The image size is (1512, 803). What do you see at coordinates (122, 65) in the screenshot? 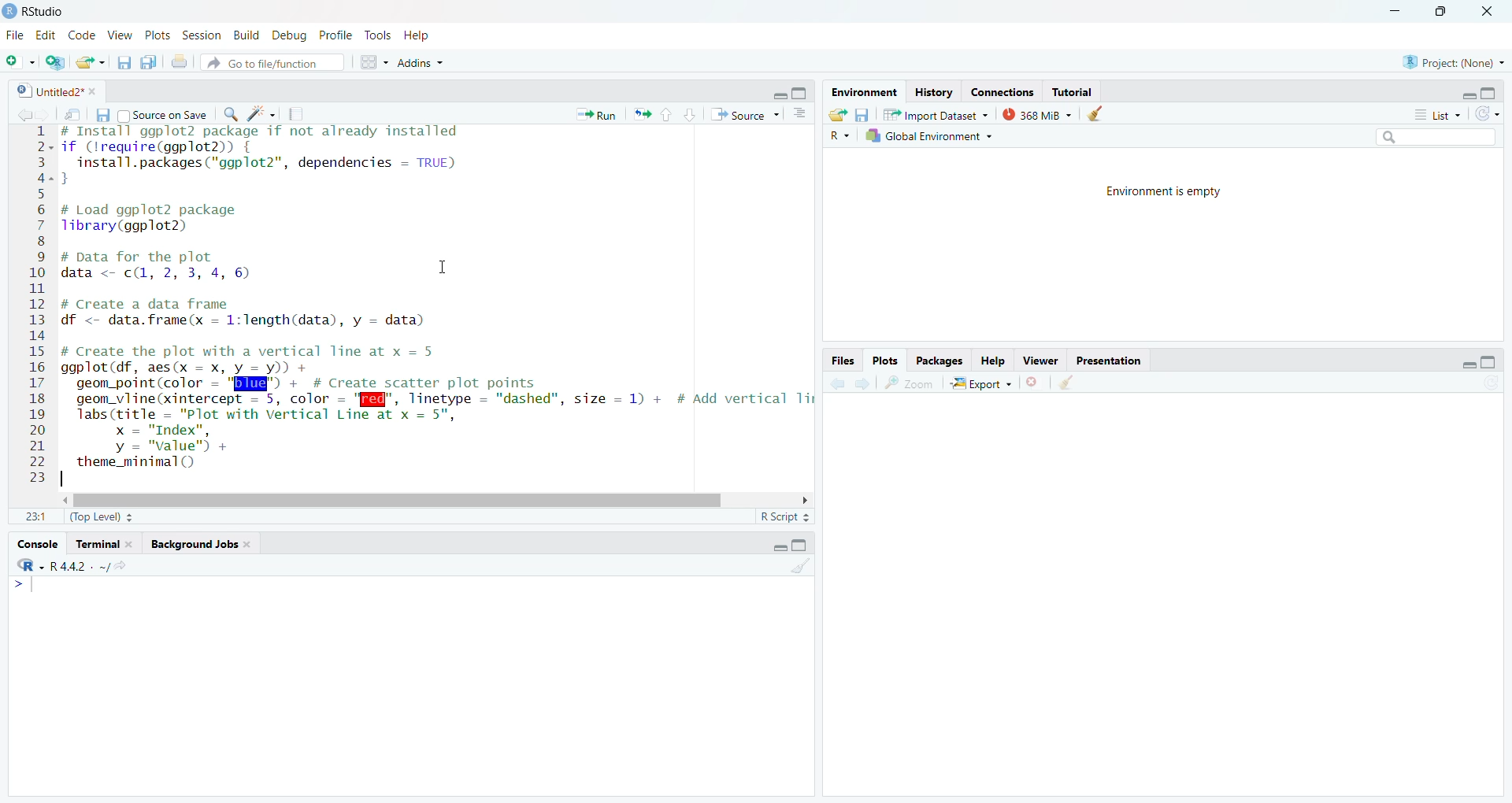
I see `files` at bounding box center [122, 65].